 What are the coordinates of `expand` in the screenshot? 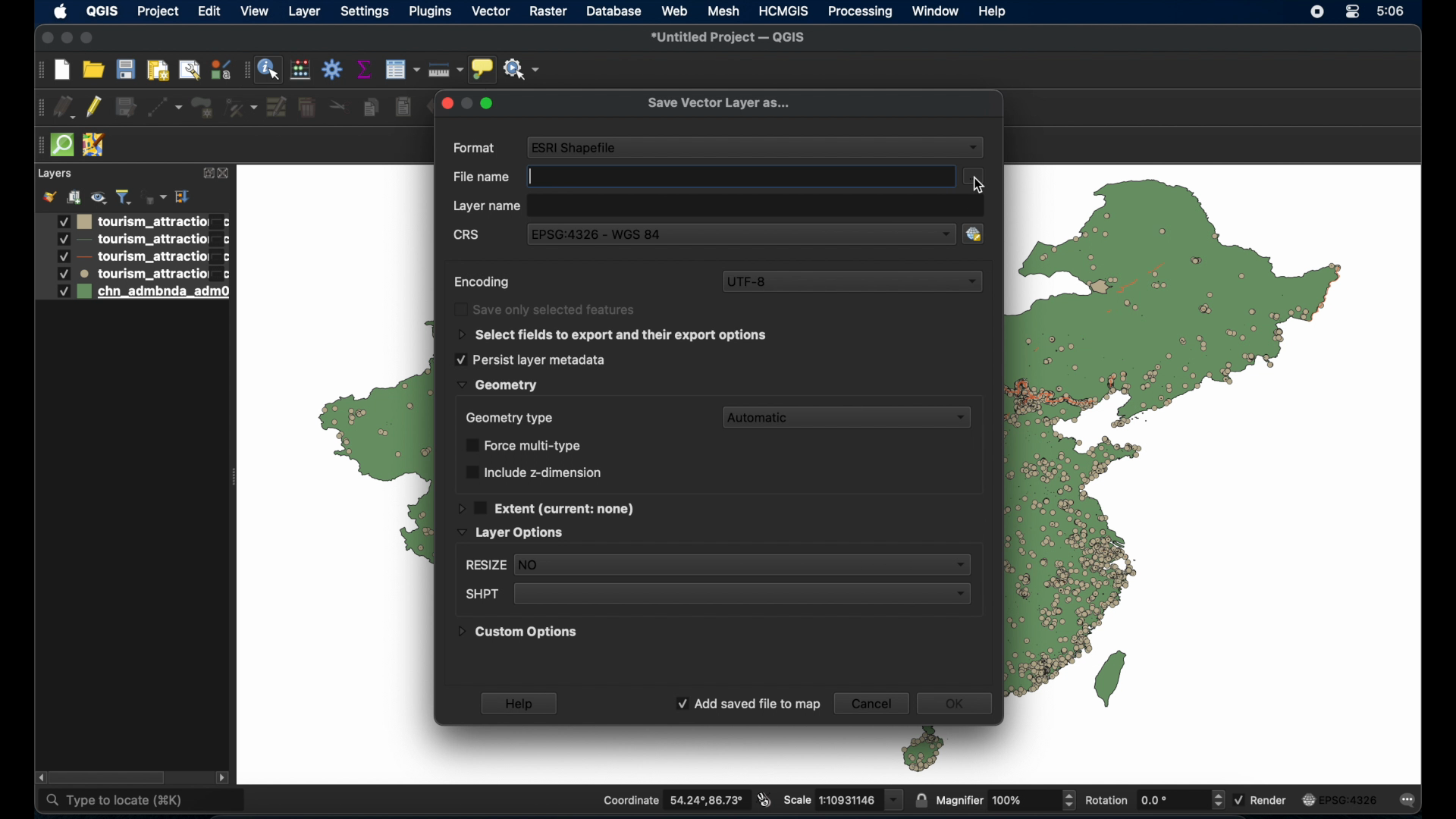 It's located at (206, 174).